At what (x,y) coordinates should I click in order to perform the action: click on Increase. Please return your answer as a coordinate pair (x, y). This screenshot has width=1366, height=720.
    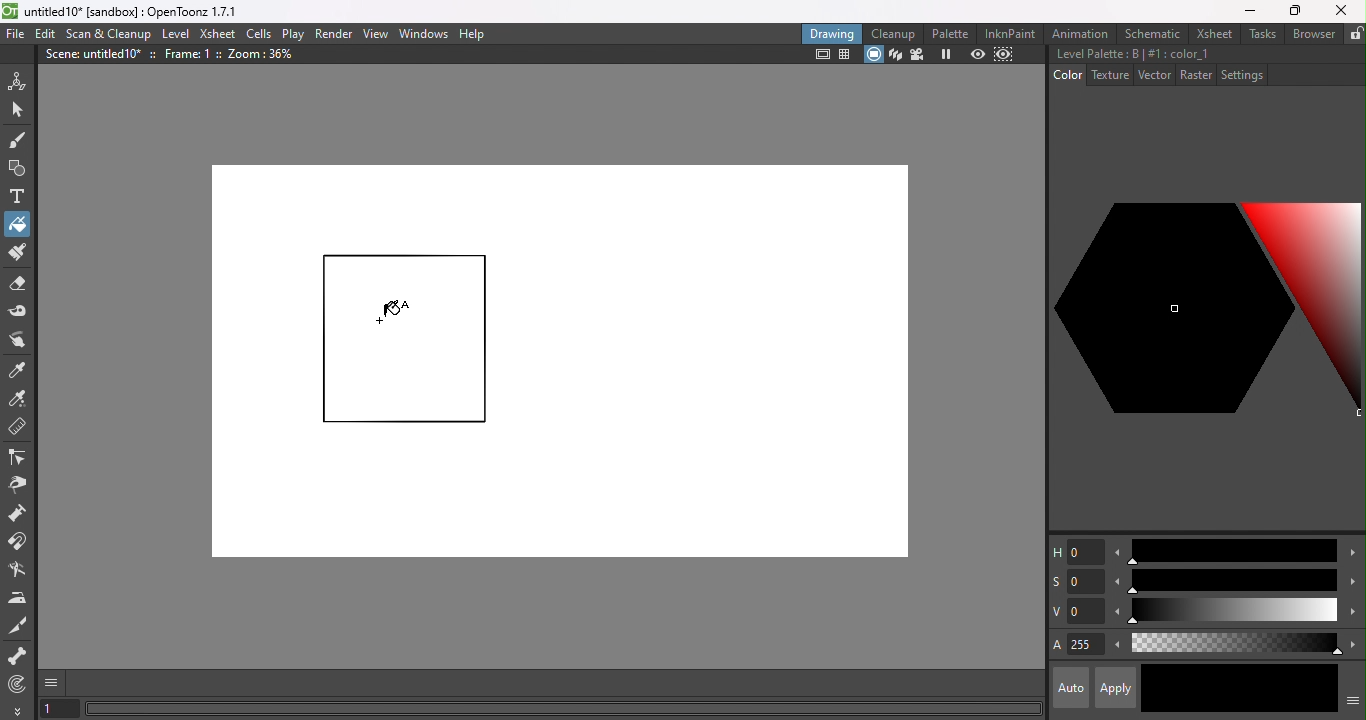
    Looking at the image, I should click on (1352, 555).